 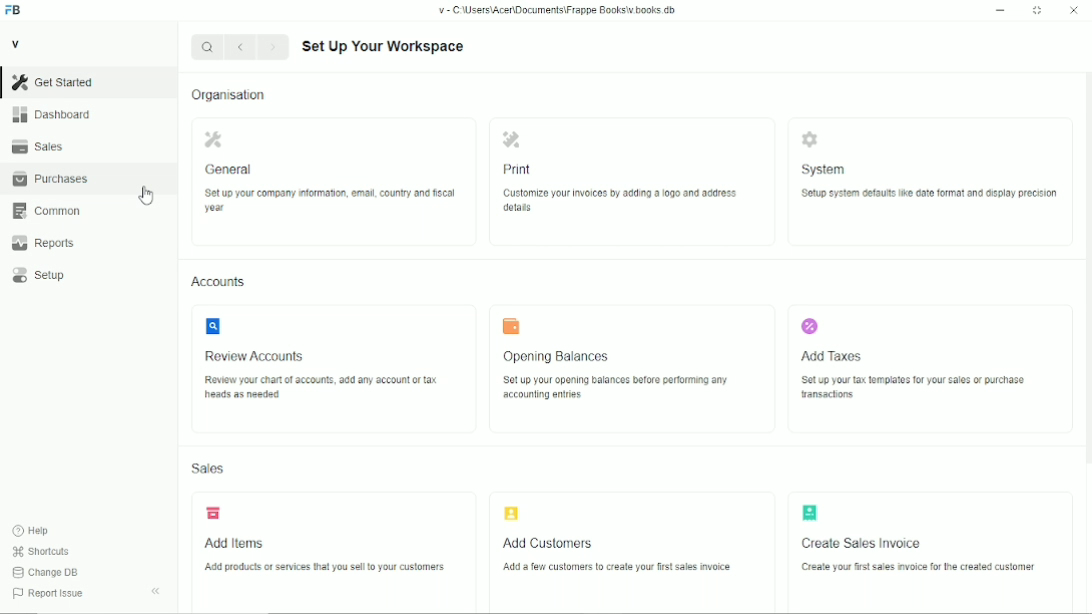 I want to click on Add Customers icon, so click(x=511, y=513).